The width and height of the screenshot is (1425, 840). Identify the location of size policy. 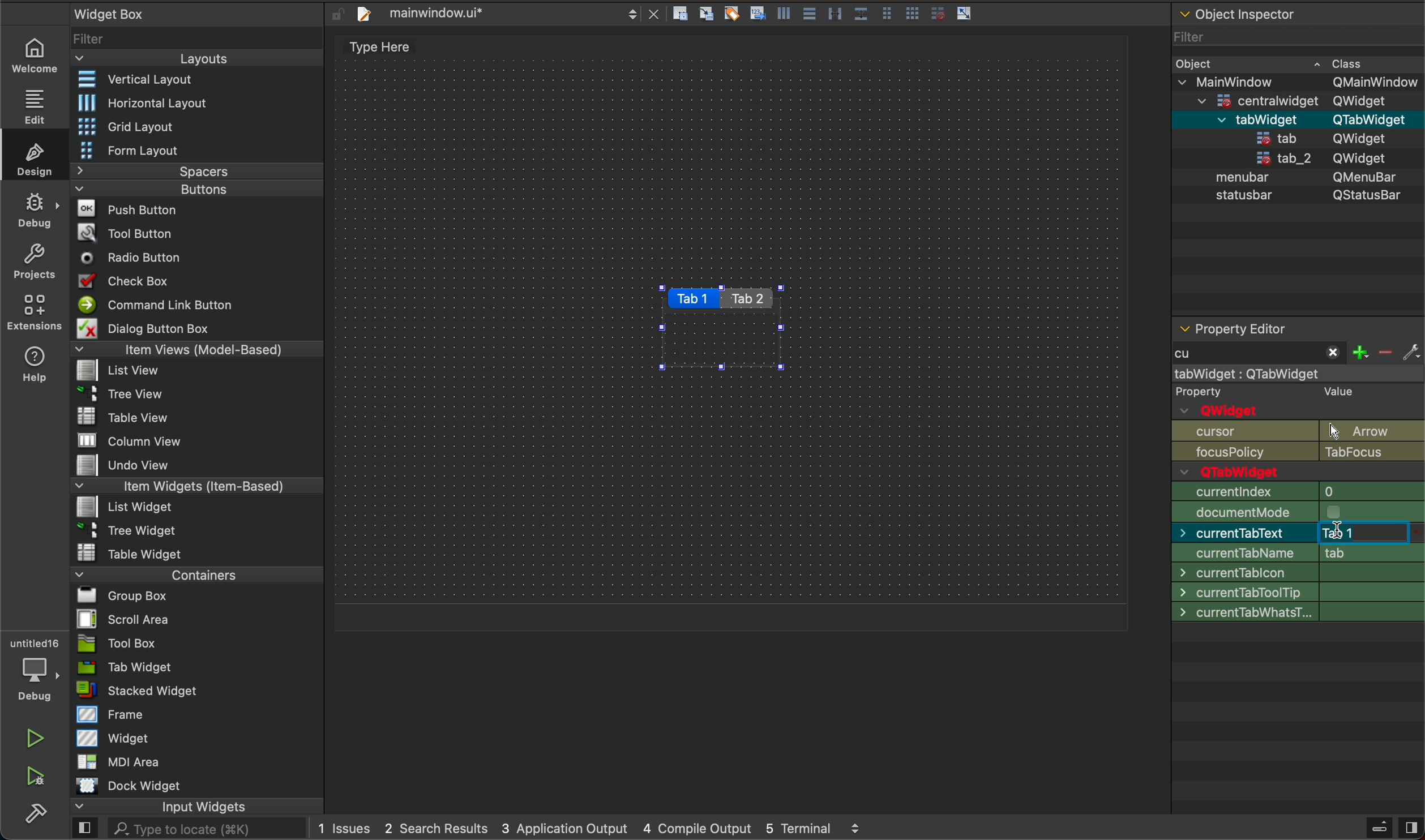
(1299, 511).